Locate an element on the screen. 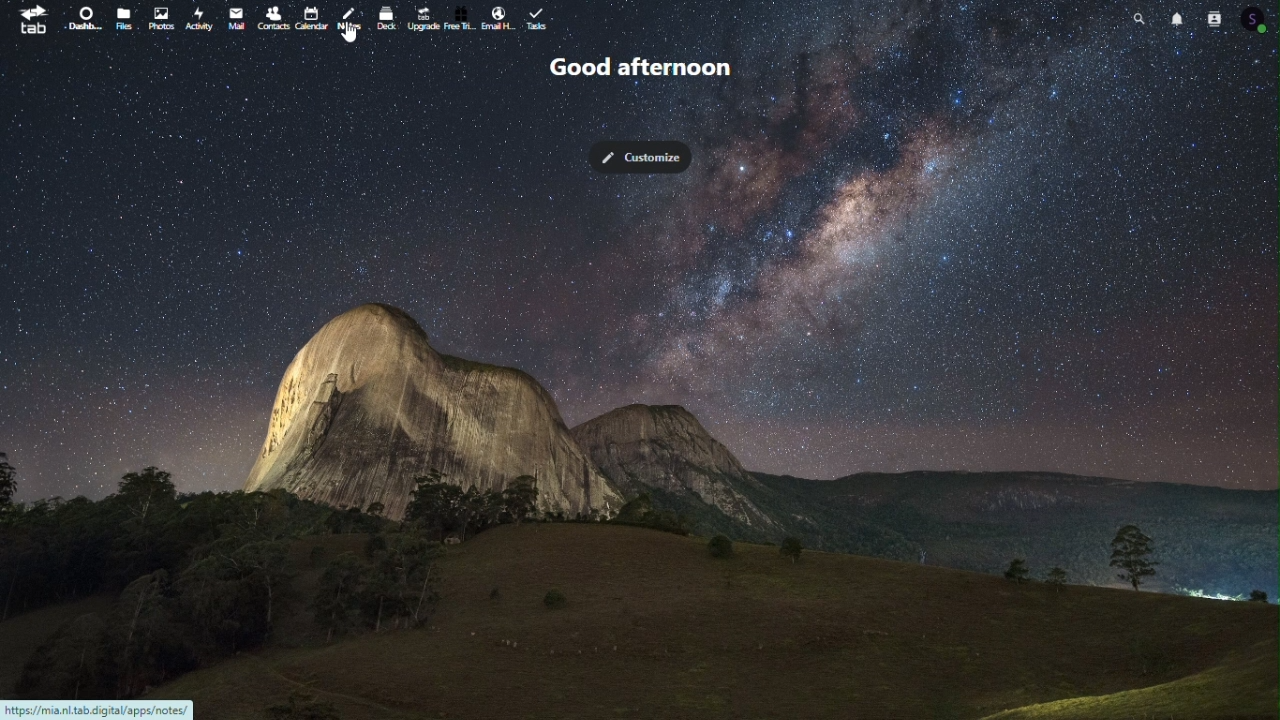  Files is located at coordinates (121, 19).